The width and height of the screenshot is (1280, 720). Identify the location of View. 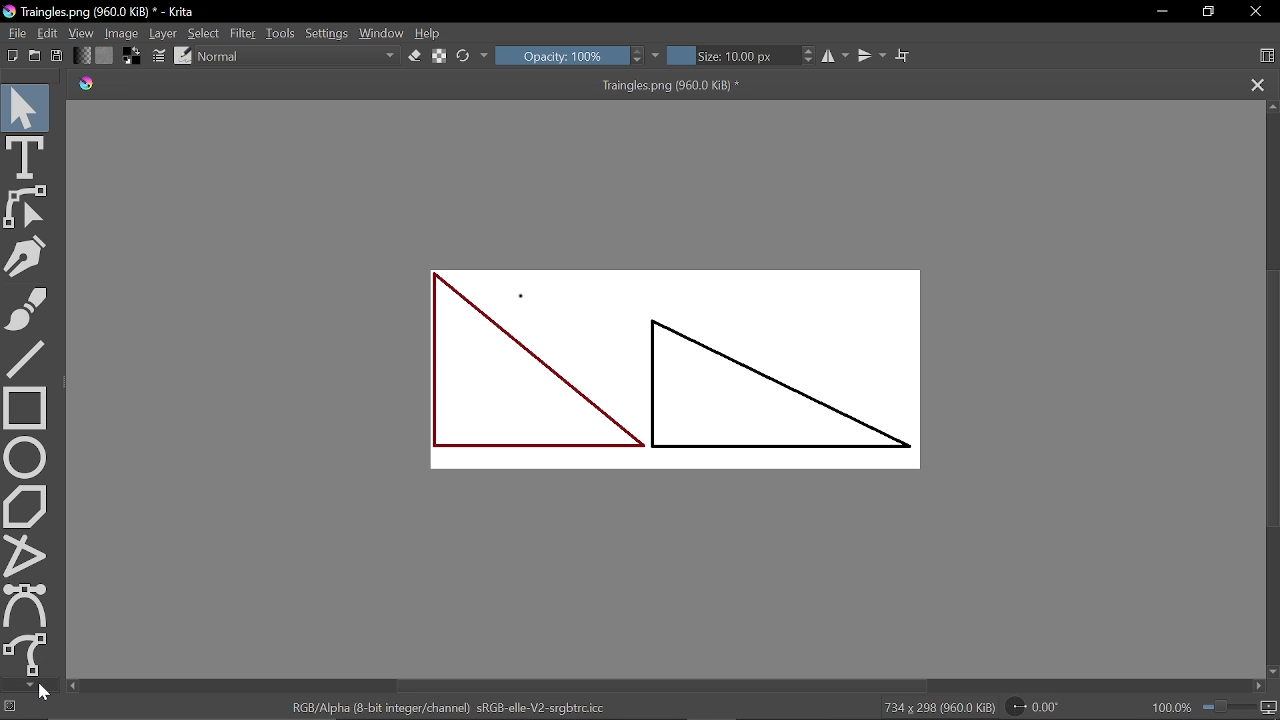
(81, 32).